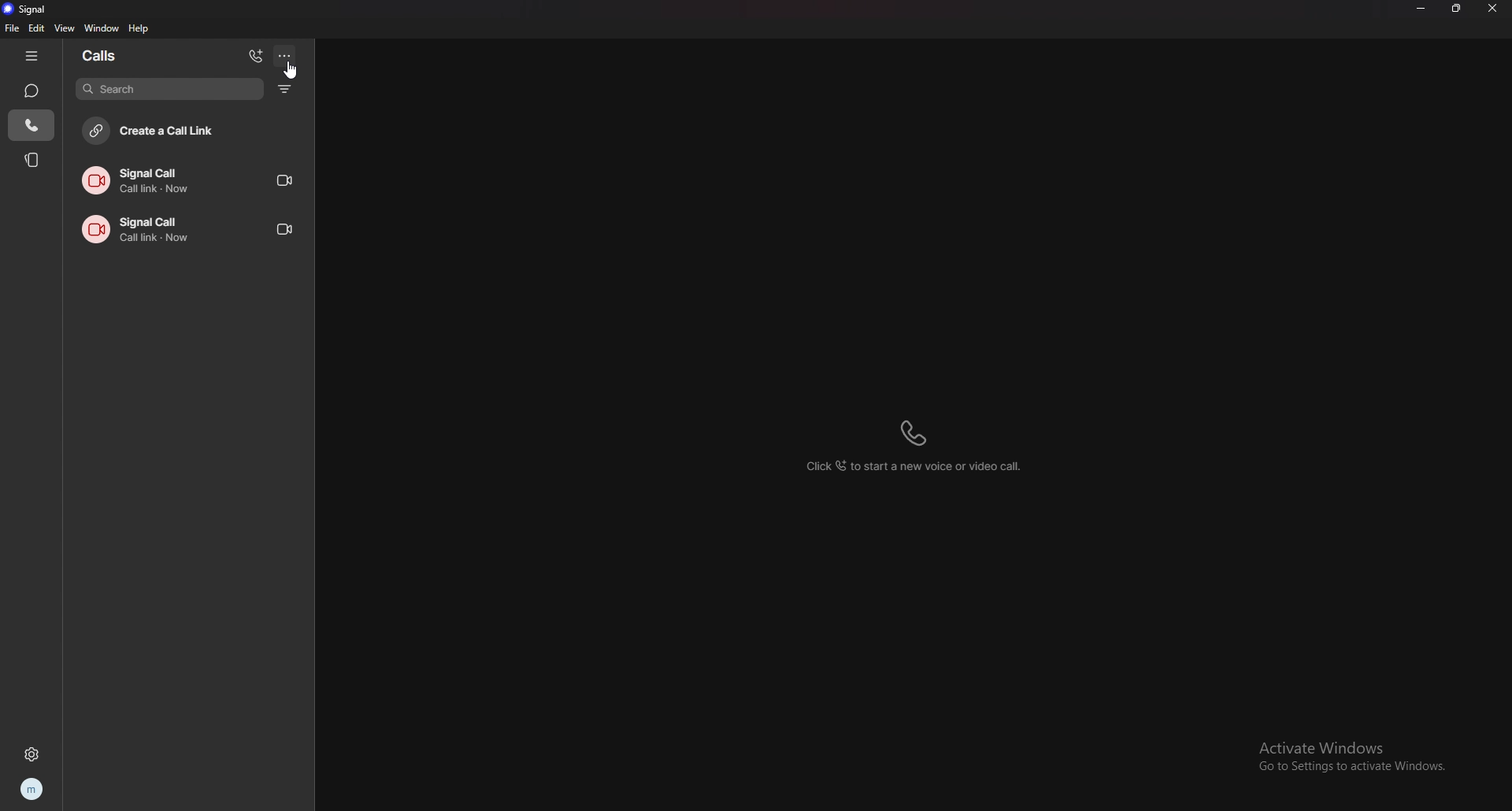 The image size is (1512, 811). I want to click on options, so click(286, 56).